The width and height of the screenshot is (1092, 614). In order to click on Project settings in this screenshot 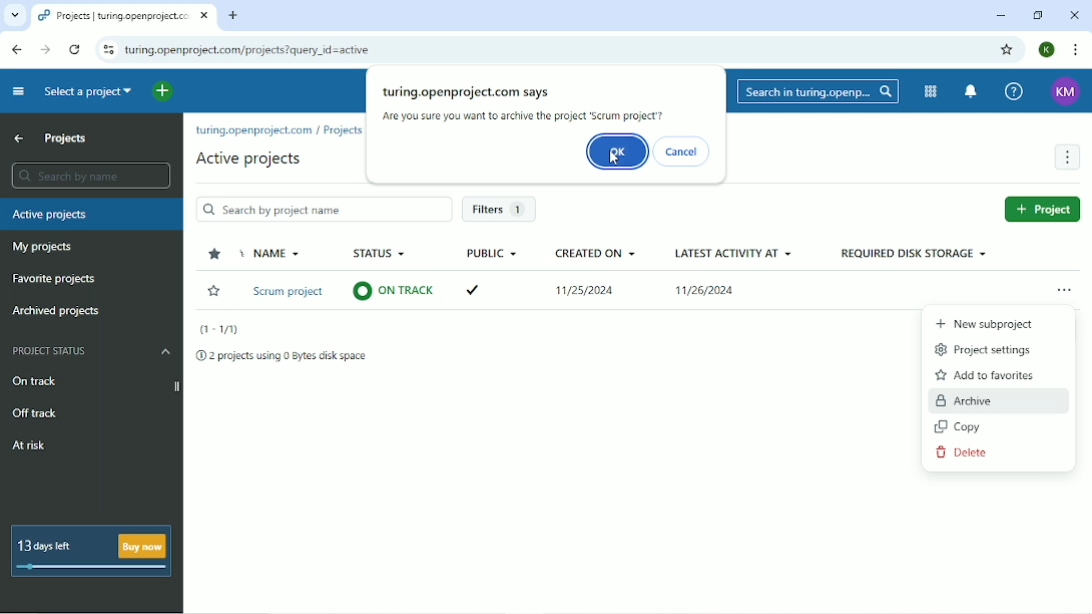, I will do `click(985, 349)`.